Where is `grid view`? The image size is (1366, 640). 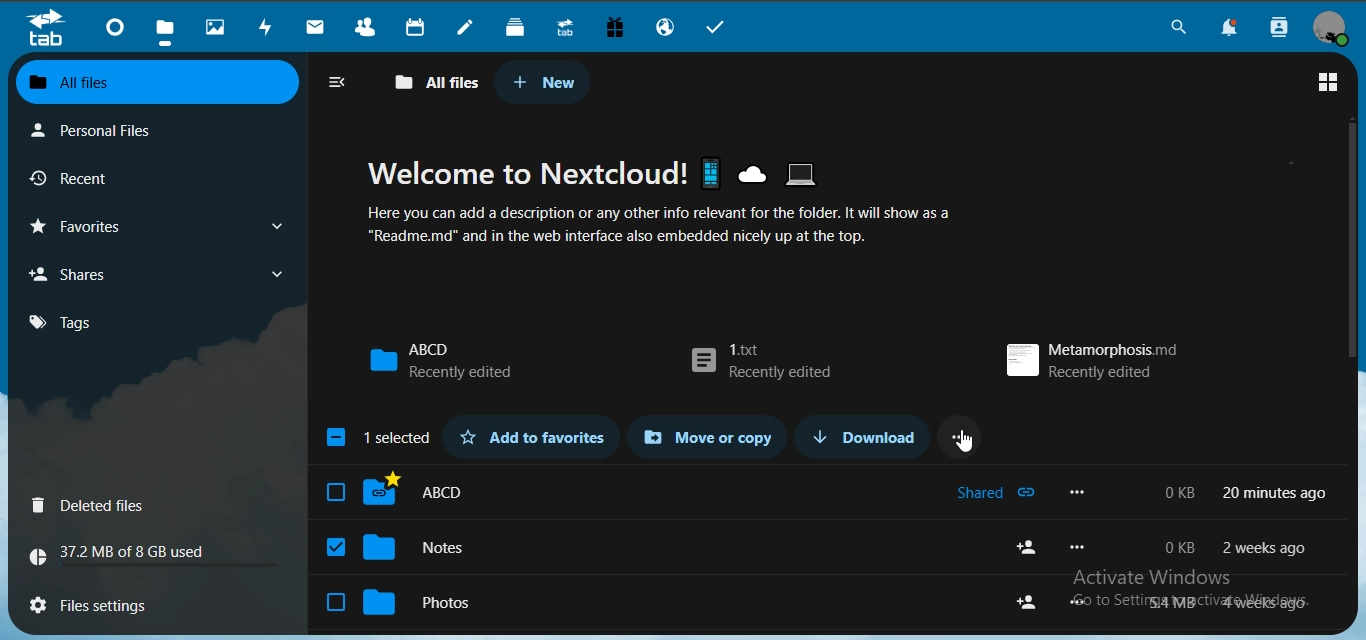 grid view is located at coordinates (1329, 81).